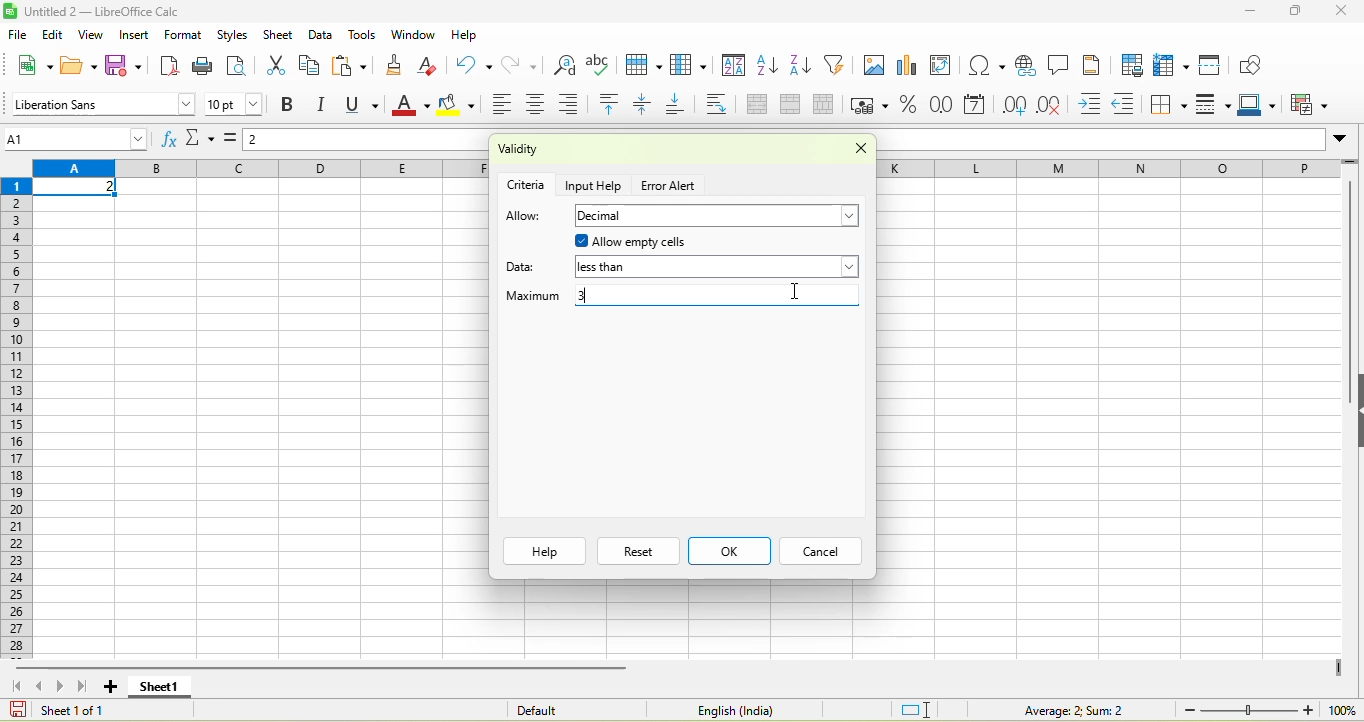 The height and width of the screenshot is (722, 1364). I want to click on text language, so click(731, 710).